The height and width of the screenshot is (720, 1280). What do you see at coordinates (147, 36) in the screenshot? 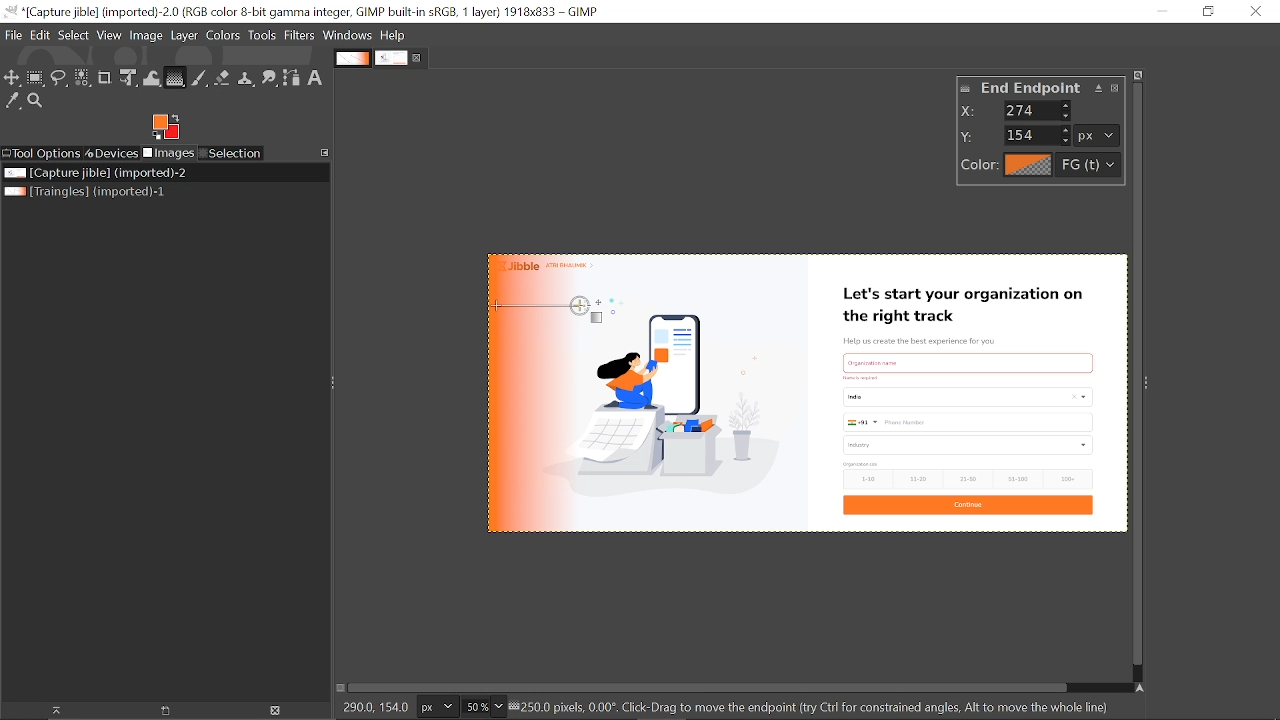
I see `Image` at bounding box center [147, 36].